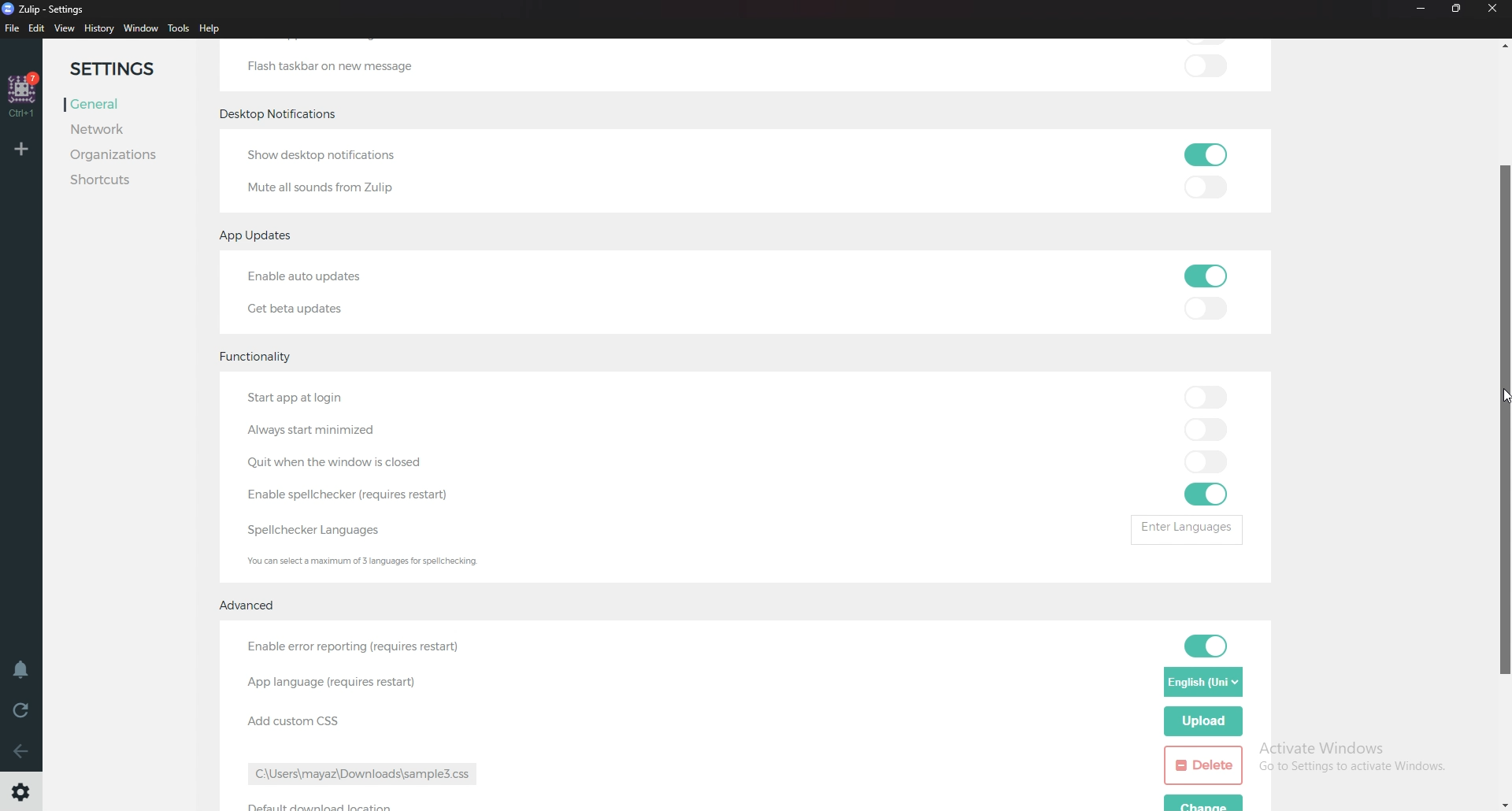  I want to click on Info, so click(371, 561).